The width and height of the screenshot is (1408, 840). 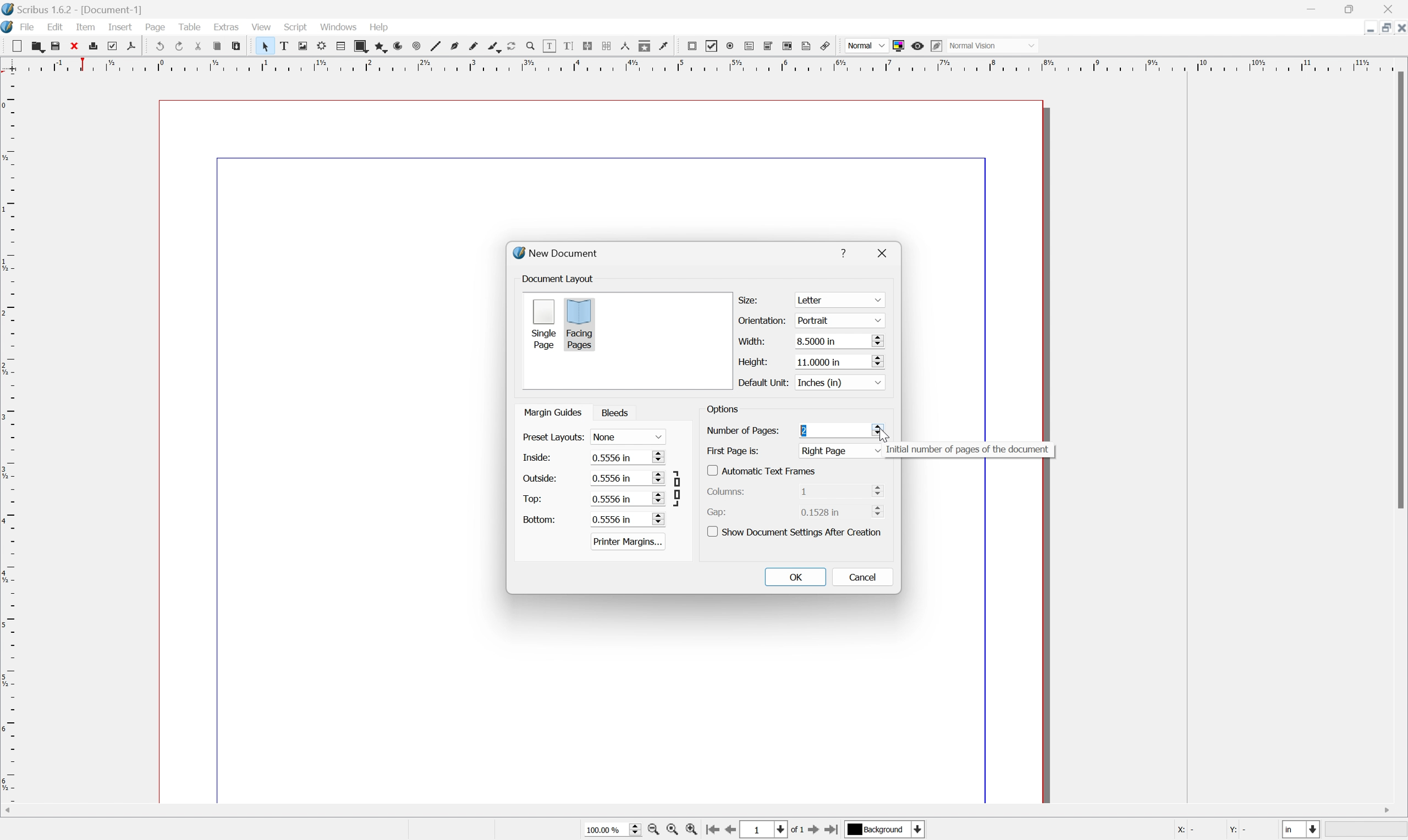 What do you see at coordinates (472, 46) in the screenshot?
I see `Freehand line` at bounding box center [472, 46].